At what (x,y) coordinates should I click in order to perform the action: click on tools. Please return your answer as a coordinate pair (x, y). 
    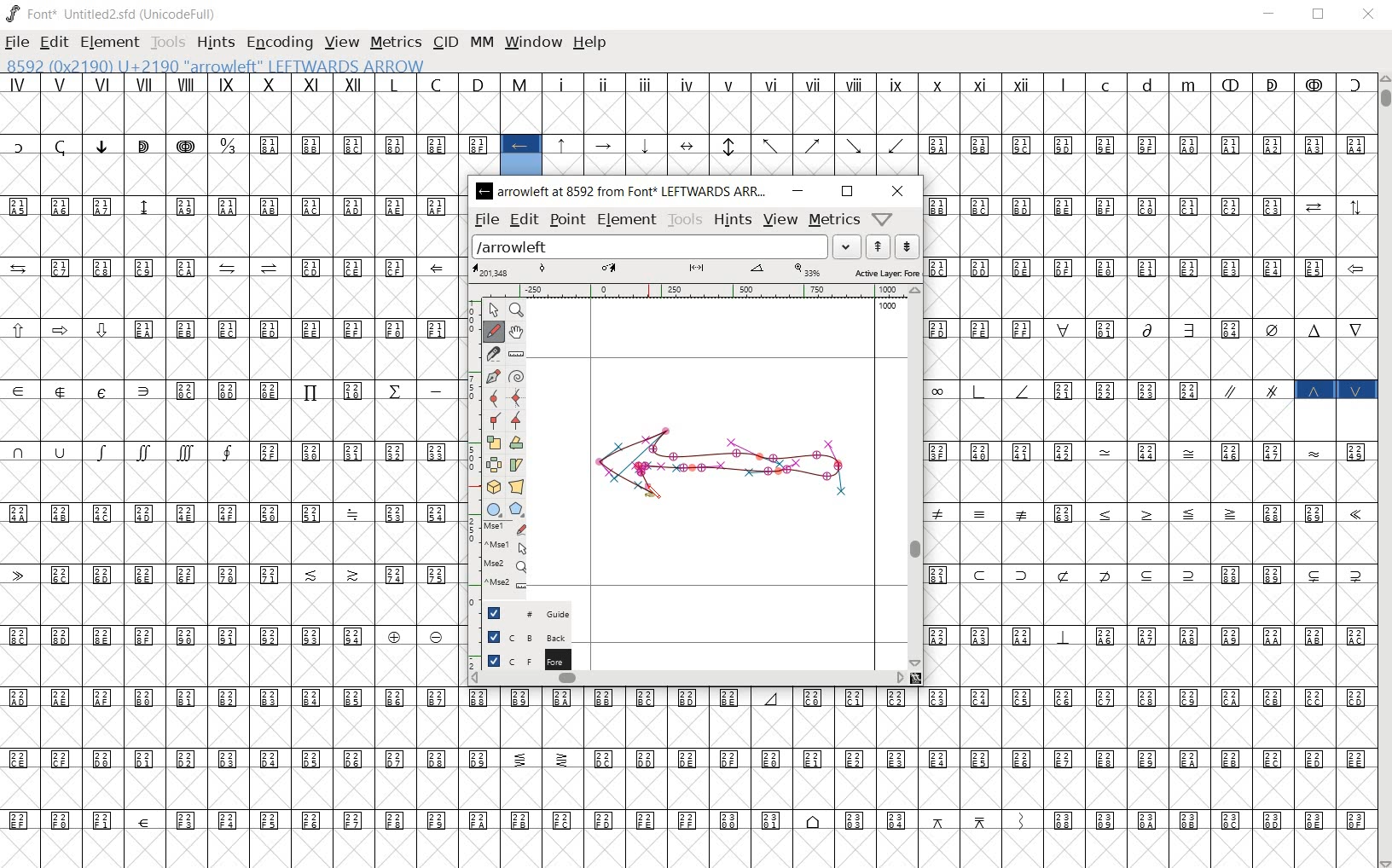
    Looking at the image, I should click on (167, 44).